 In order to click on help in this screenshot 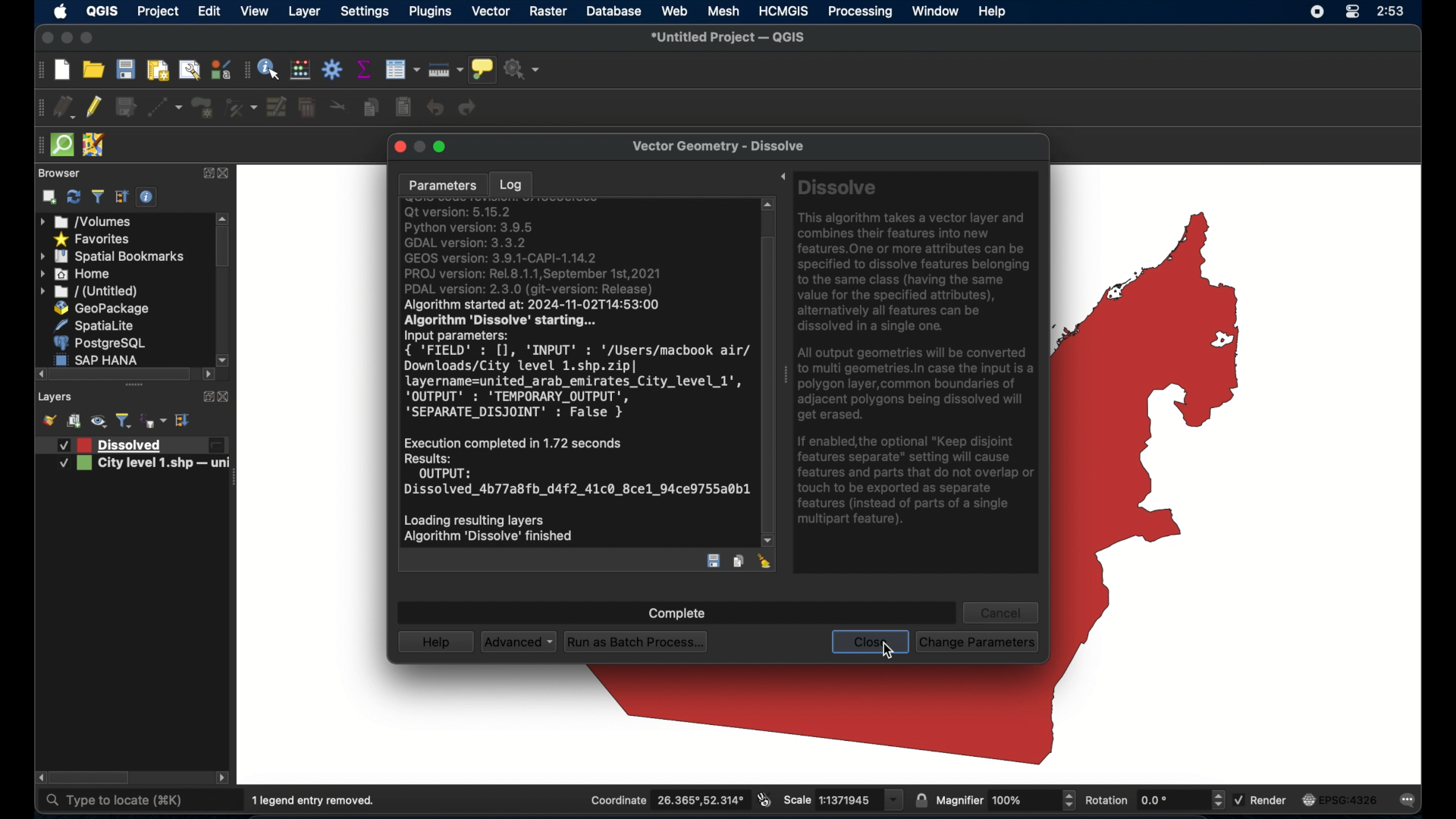, I will do `click(438, 642)`.